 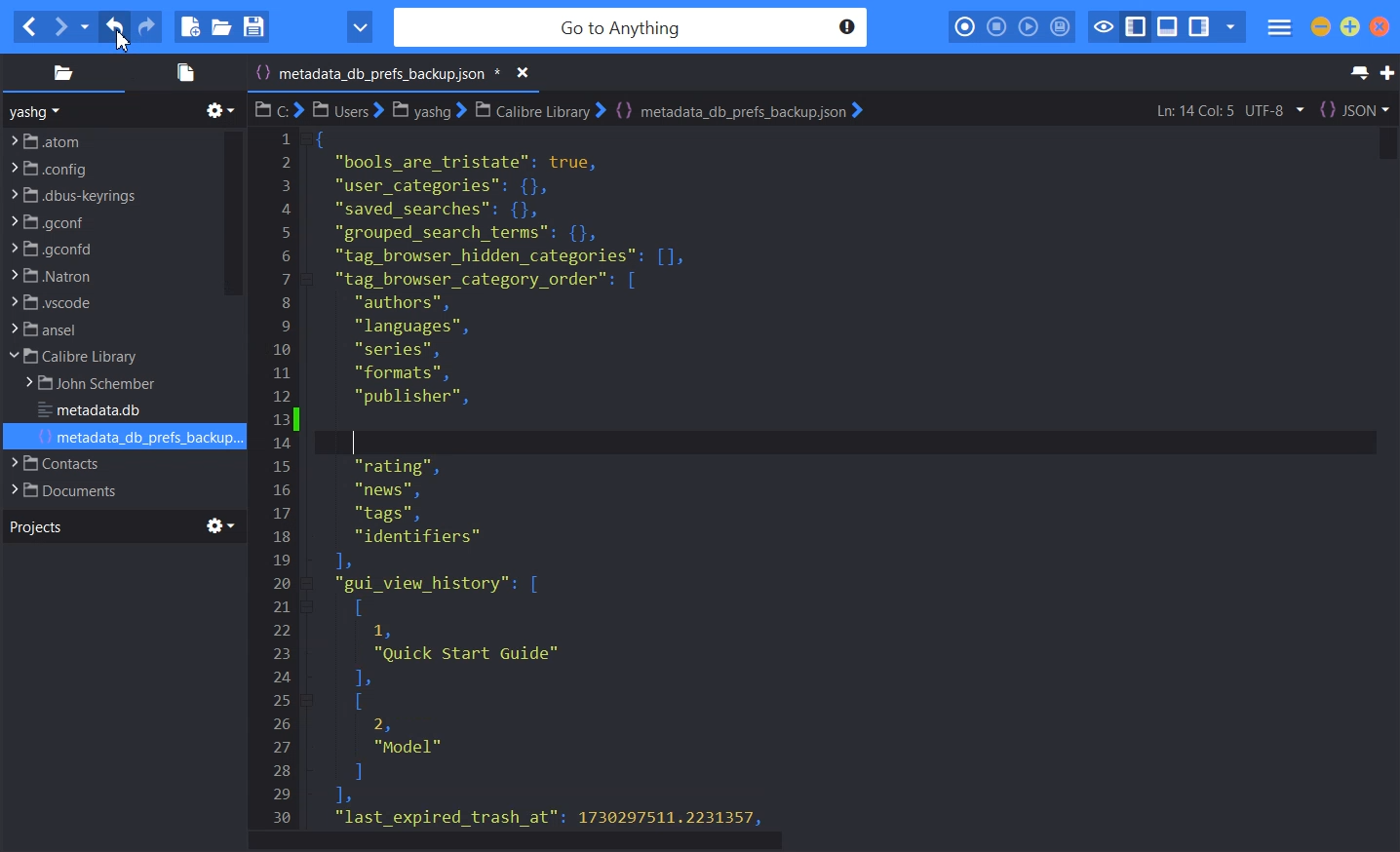 What do you see at coordinates (108, 302) in the screenshot?
I see `File` at bounding box center [108, 302].